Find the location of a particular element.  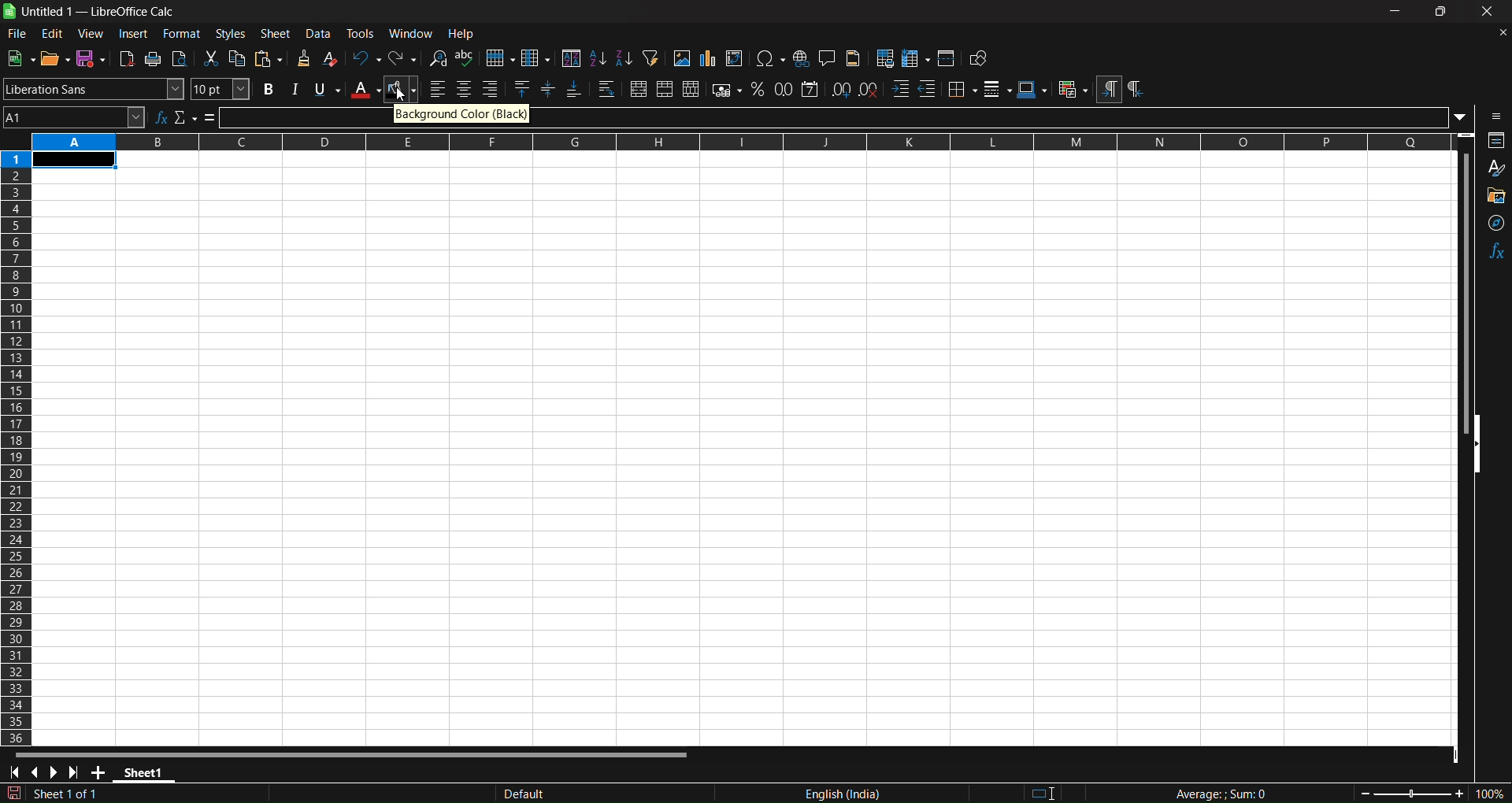

gallery is located at coordinates (1493, 191).